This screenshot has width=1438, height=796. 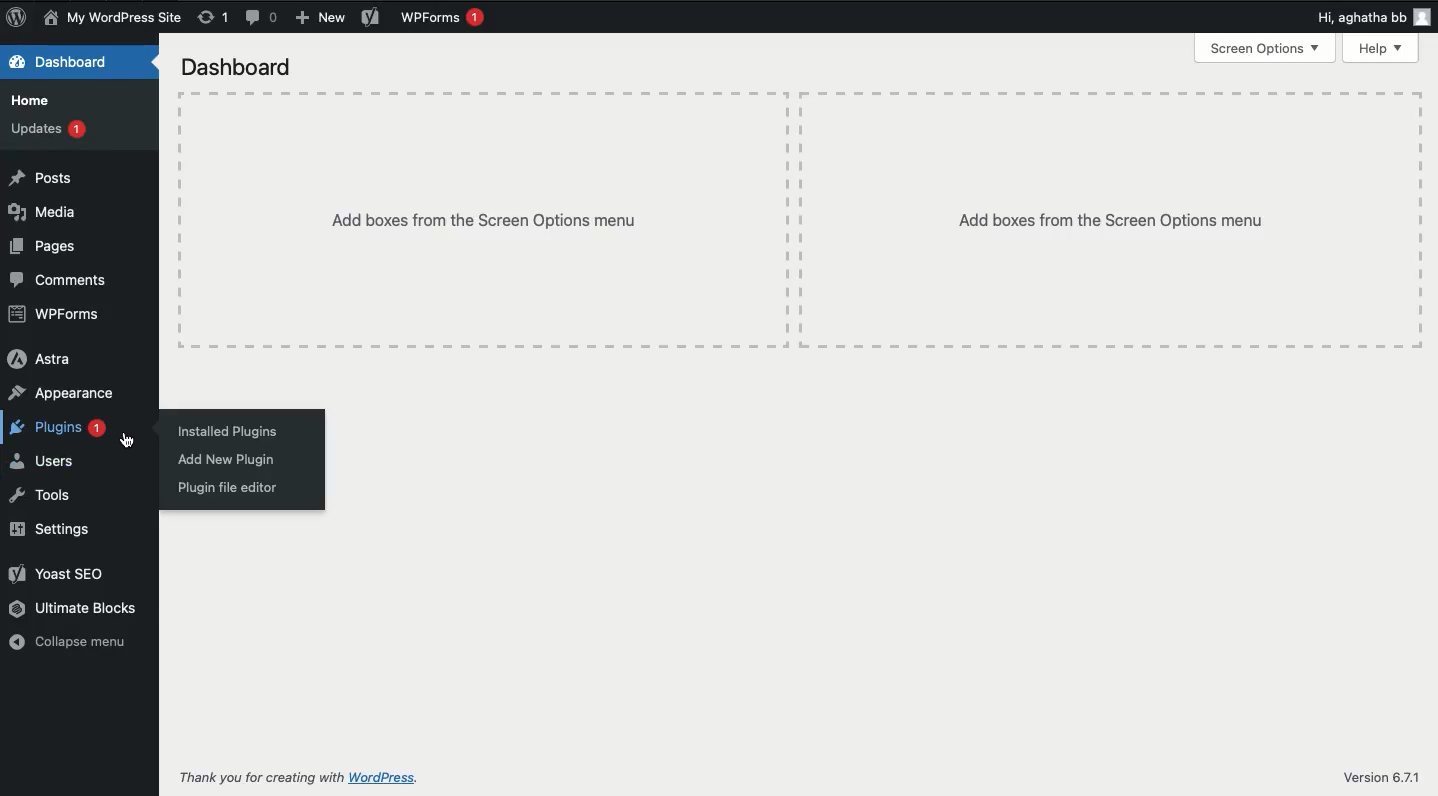 I want to click on Comments, so click(x=261, y=17).